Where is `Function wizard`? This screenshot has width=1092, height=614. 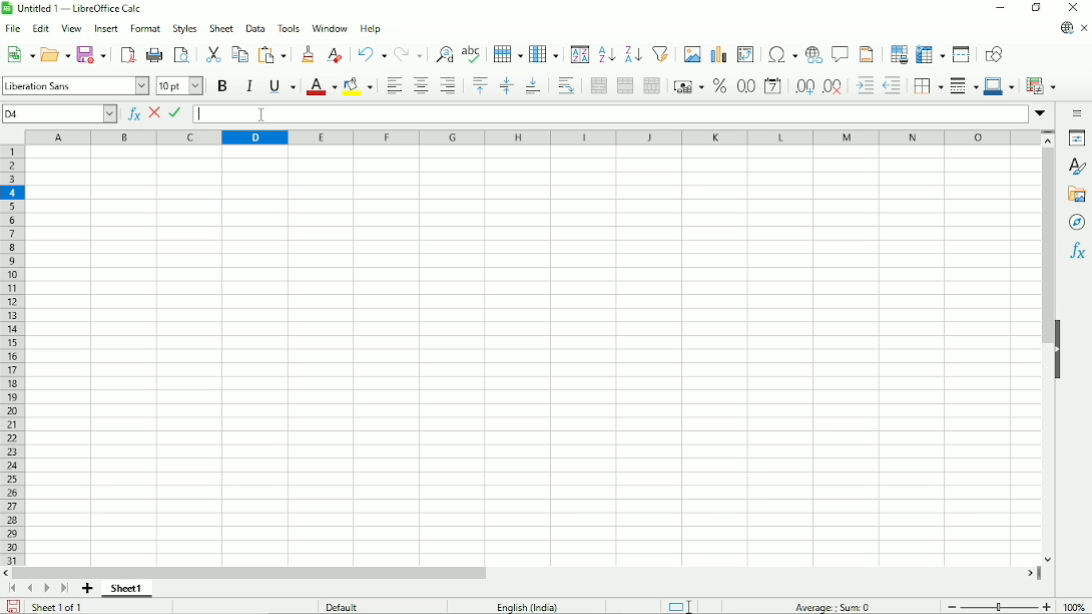
Function wizard is located at coordinates (132, 113).